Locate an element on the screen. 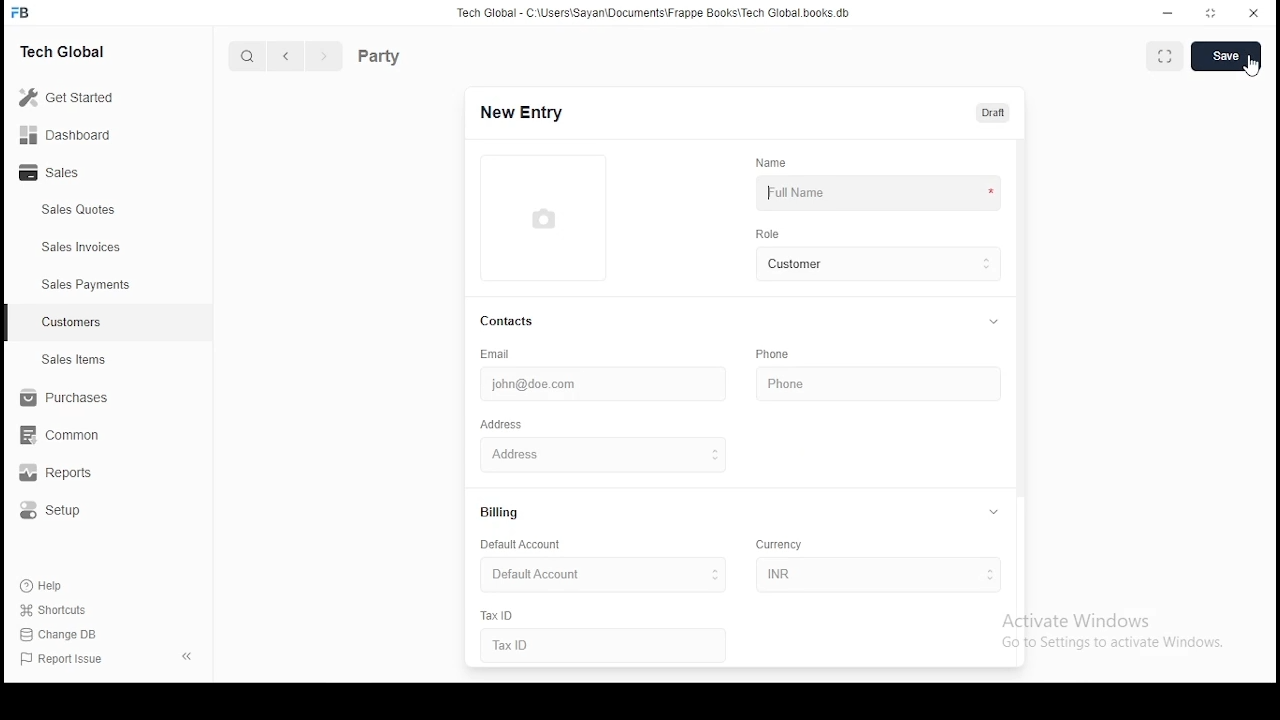 This screenshot has height=720, width=1280. party is located at coordinates (411, 54).